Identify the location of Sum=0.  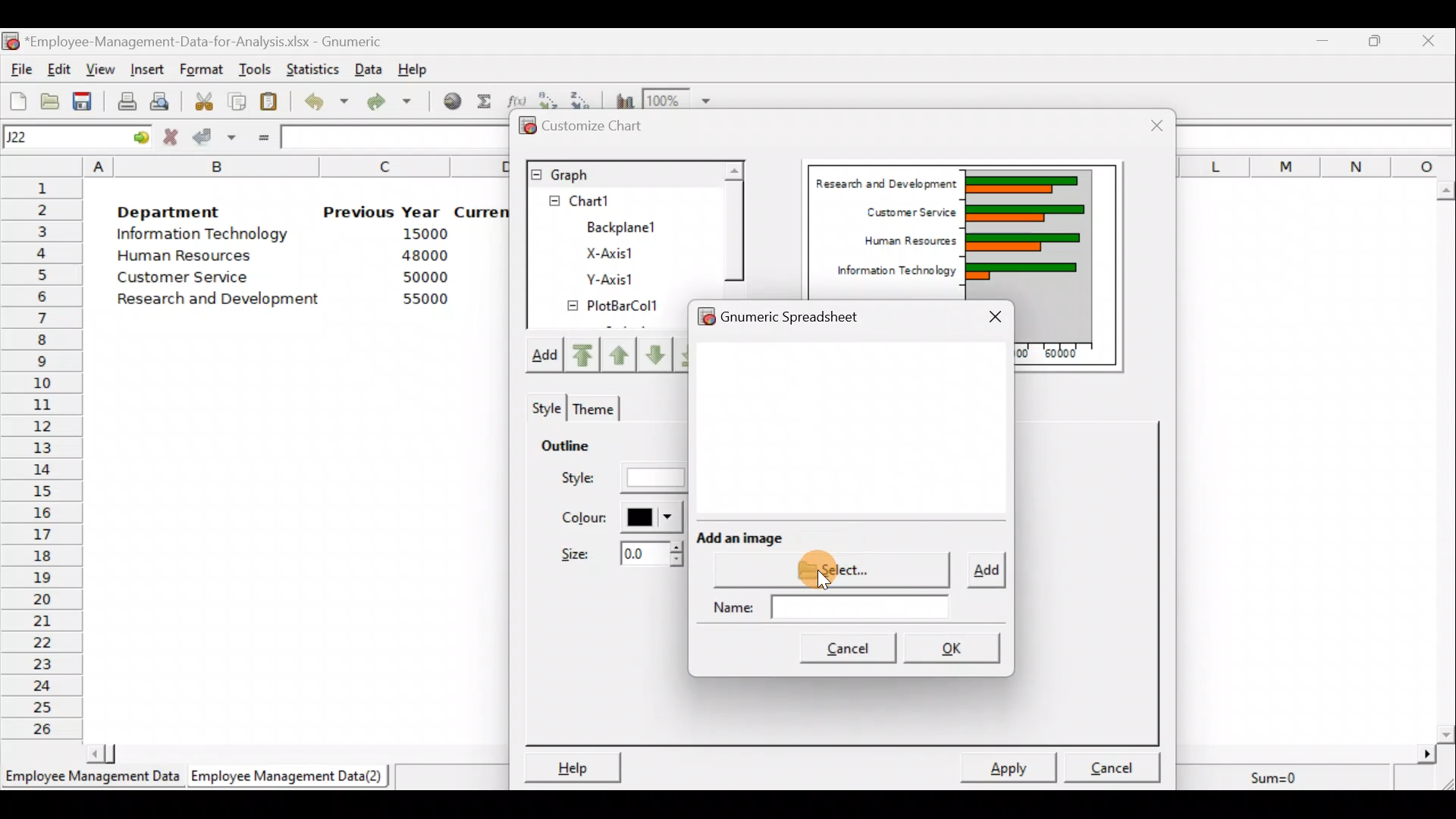
(1279, 774).